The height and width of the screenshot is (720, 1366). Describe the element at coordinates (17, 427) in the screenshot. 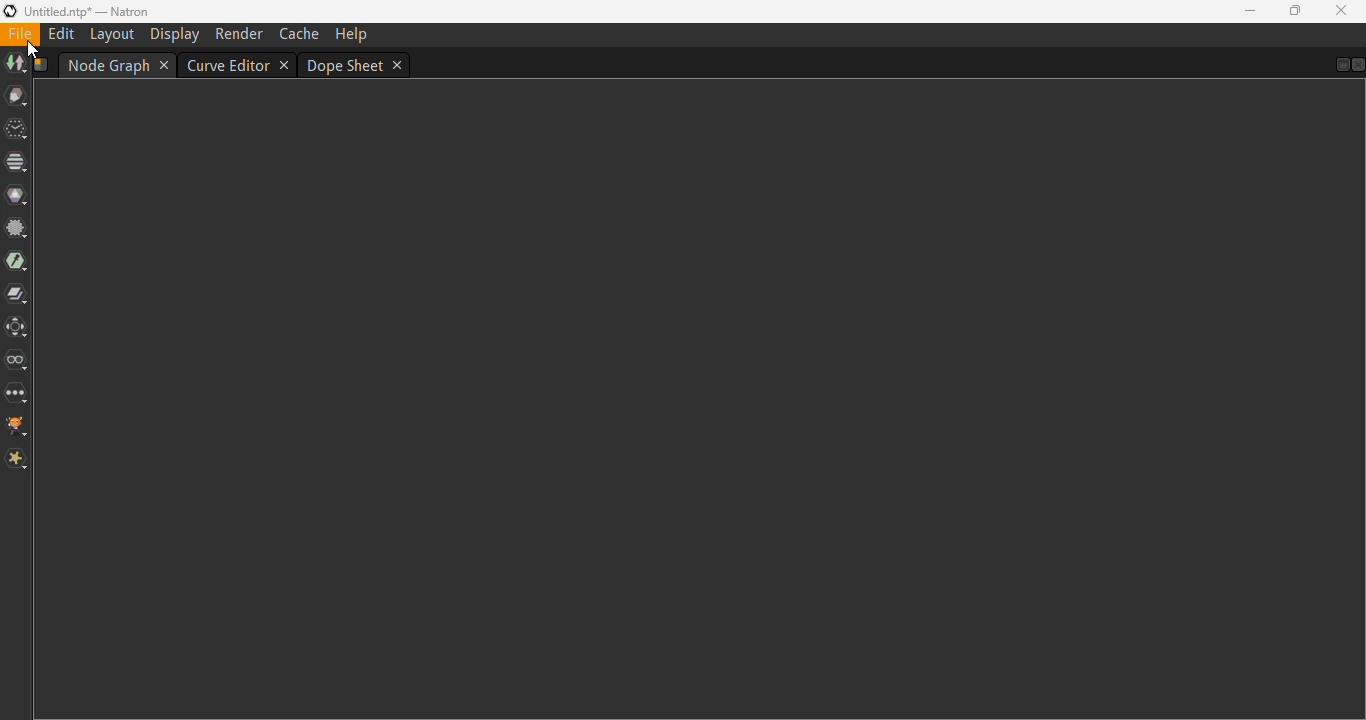

I see `GMIC` at that location.